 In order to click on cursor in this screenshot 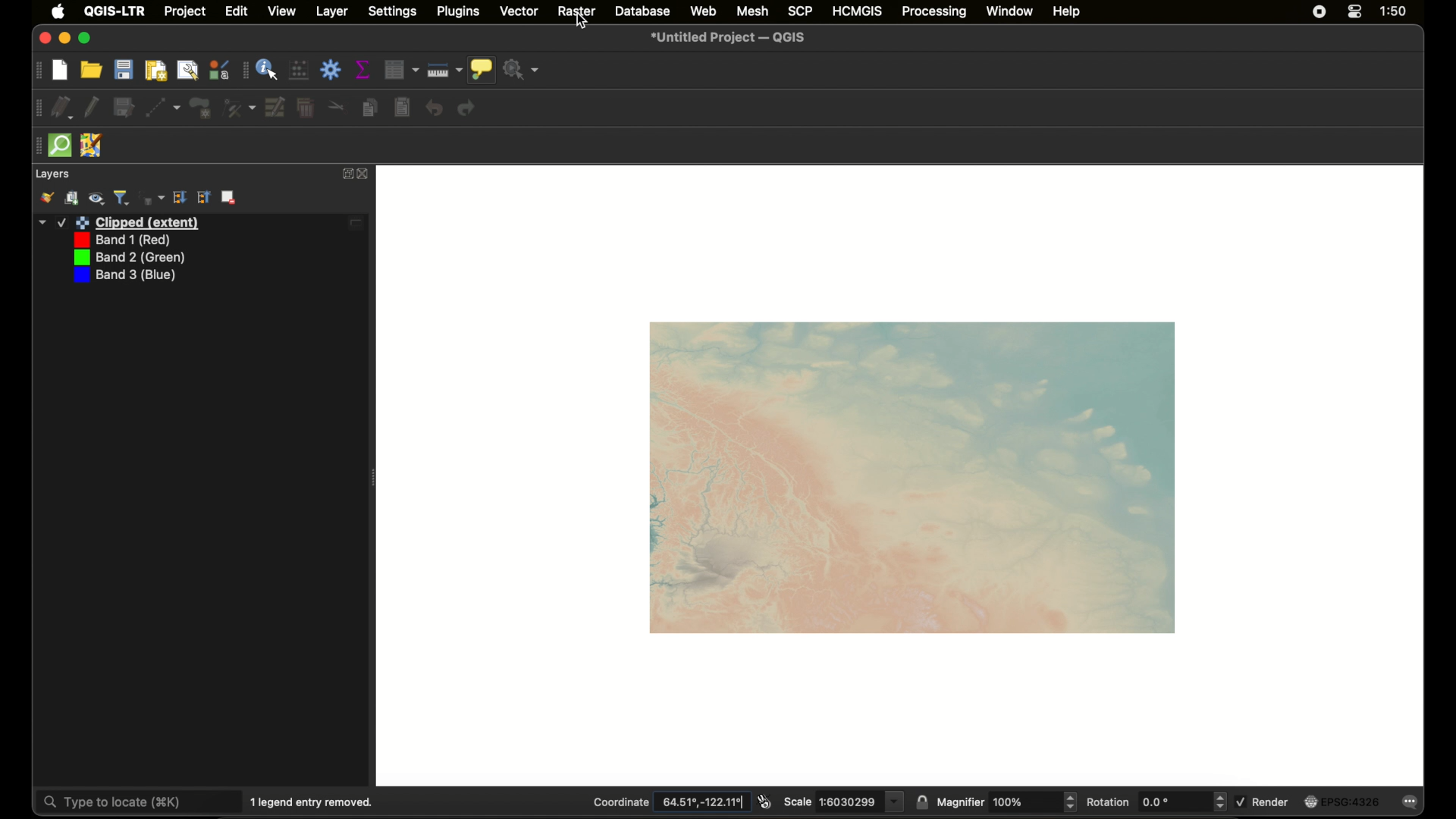, I will do `click(581, 24)`.